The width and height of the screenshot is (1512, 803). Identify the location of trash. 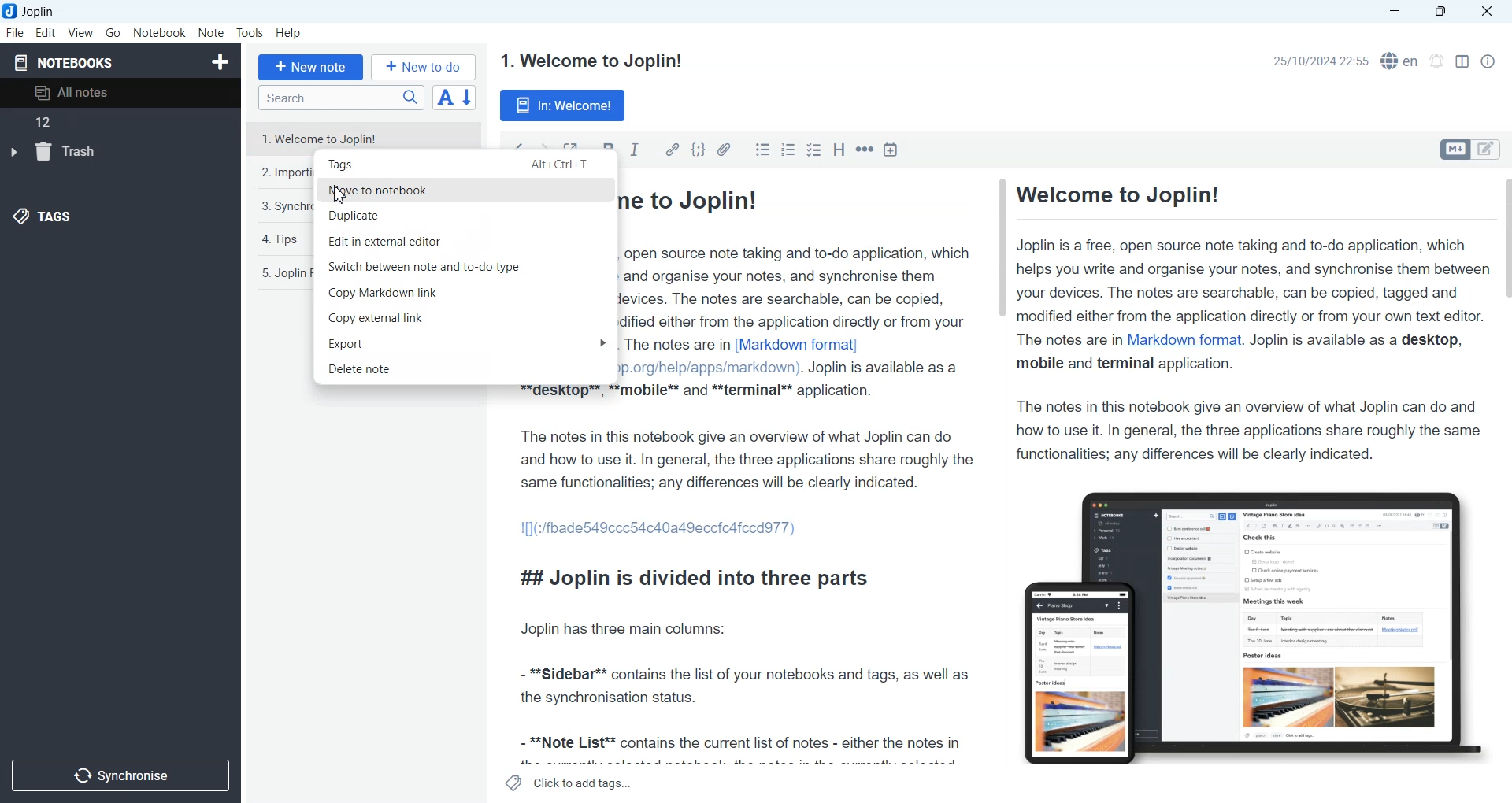
(61, 153).